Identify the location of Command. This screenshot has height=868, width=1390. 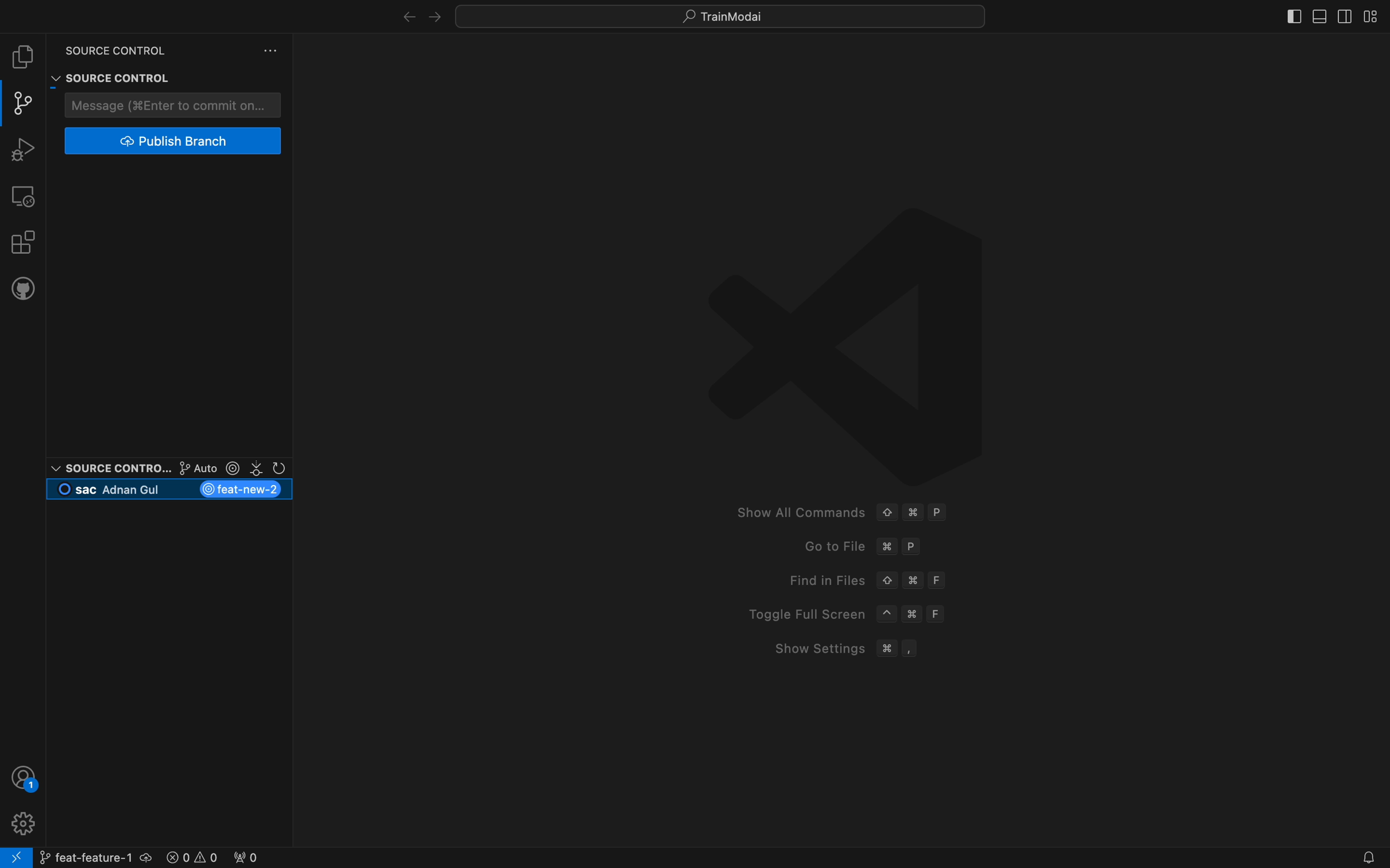
(886, 648).